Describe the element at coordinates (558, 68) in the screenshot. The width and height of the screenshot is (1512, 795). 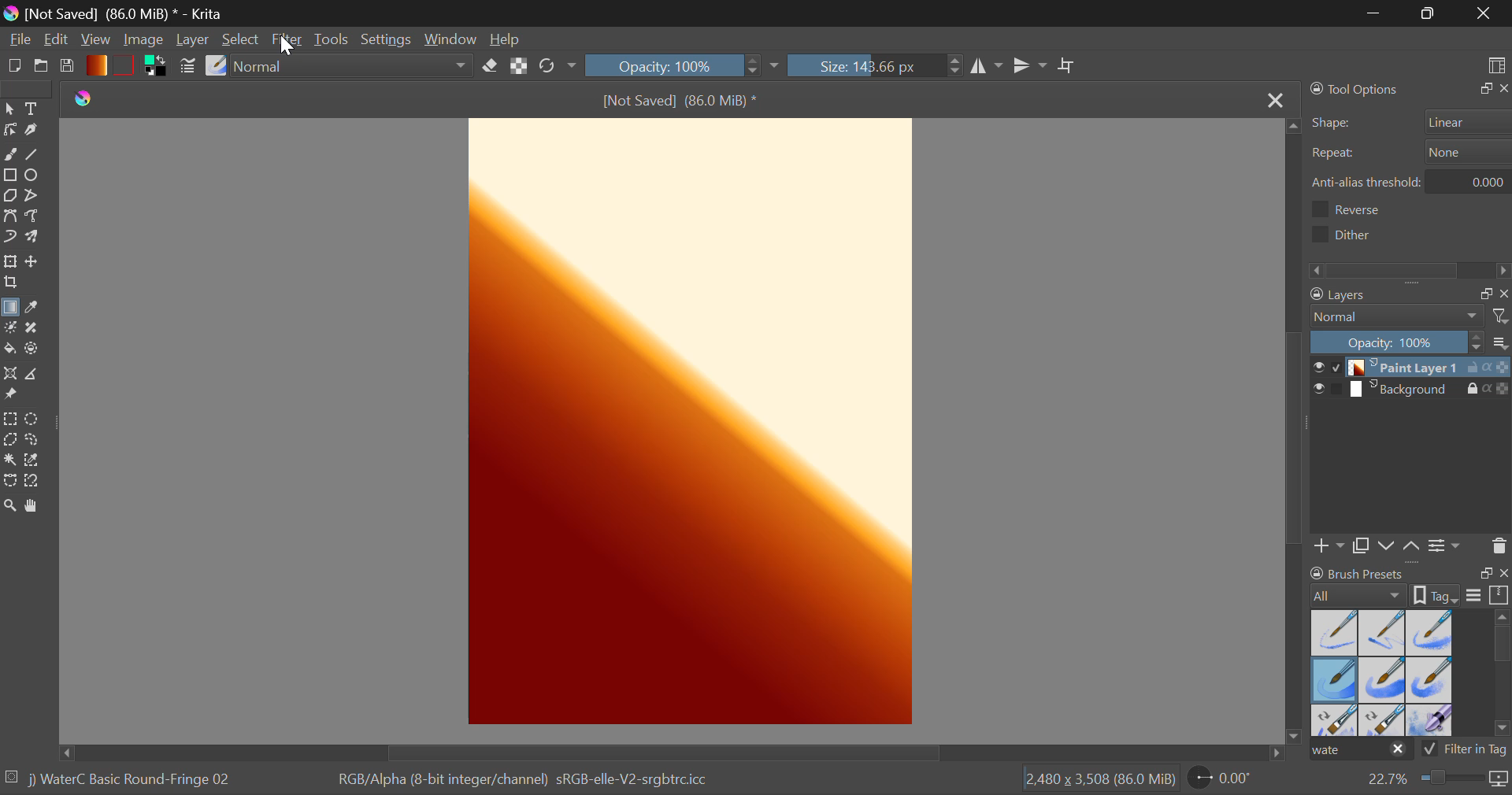
I see `Refresh` at that location.